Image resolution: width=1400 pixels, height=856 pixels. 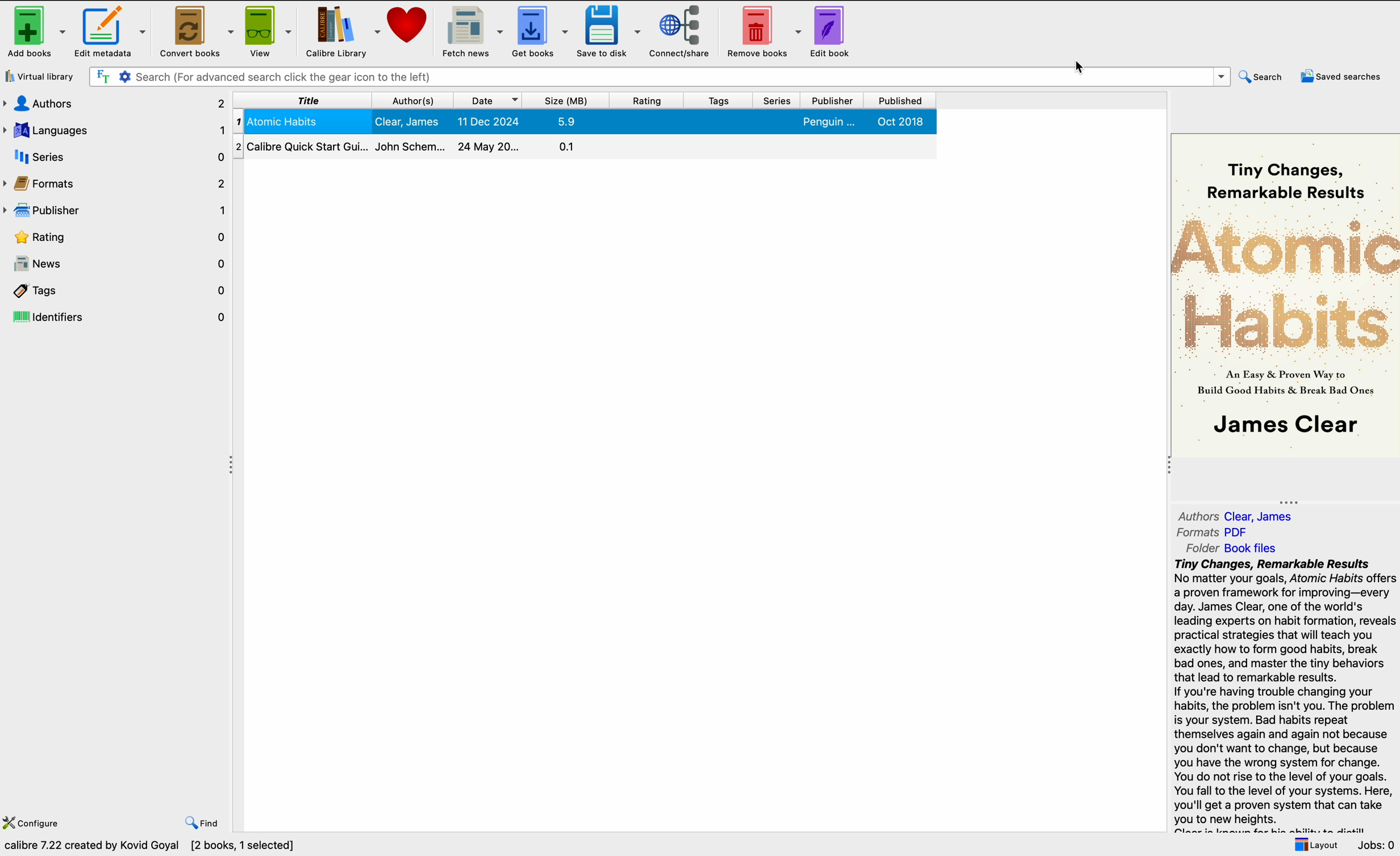 What do you see at coordinates (835, 101) in the screenshot?
I see `publisher` at bounding box center [835, 101].